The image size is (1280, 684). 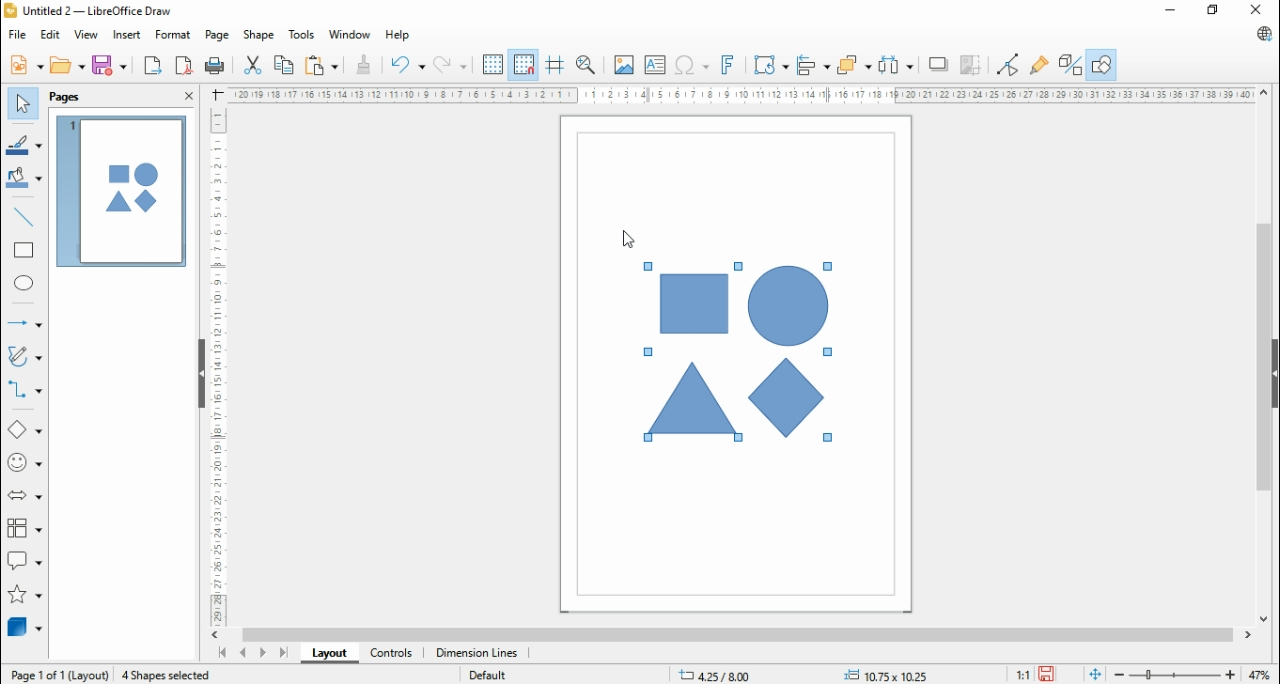 What do you see at coordinates (717, 677) in the screenshot?
I see `16.96/2028` at bounding box center [717, 677].